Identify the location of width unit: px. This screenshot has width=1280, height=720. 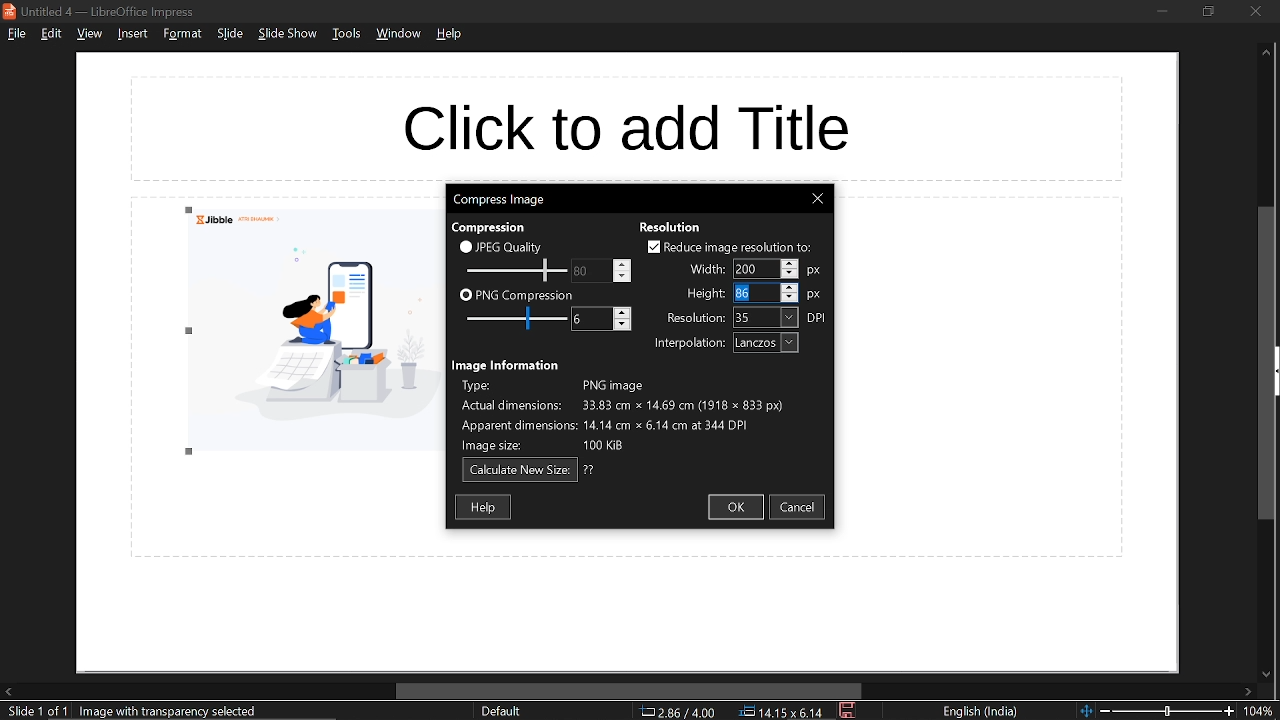
(815, 271).